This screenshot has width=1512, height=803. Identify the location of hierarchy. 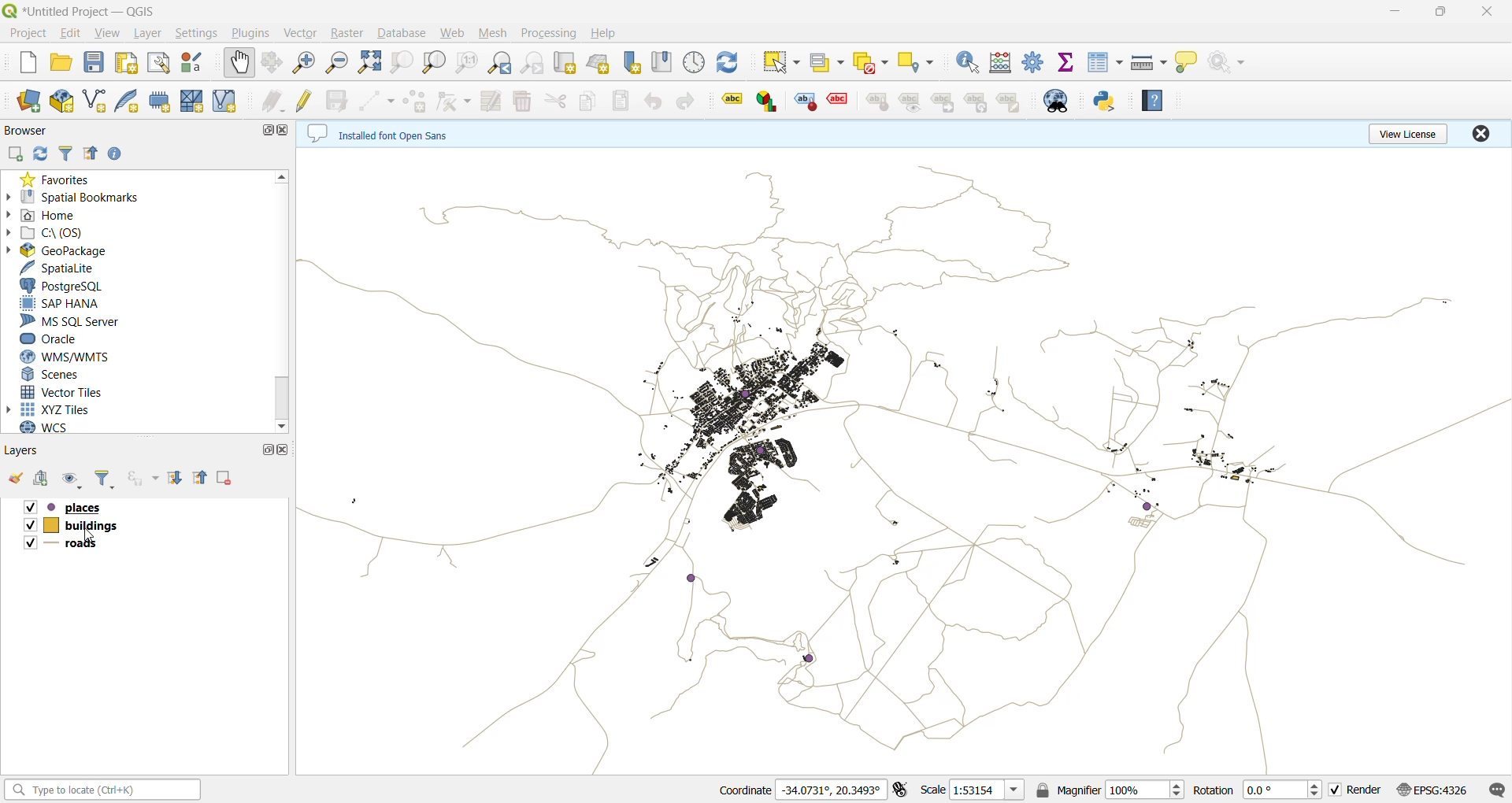
(977, 102).